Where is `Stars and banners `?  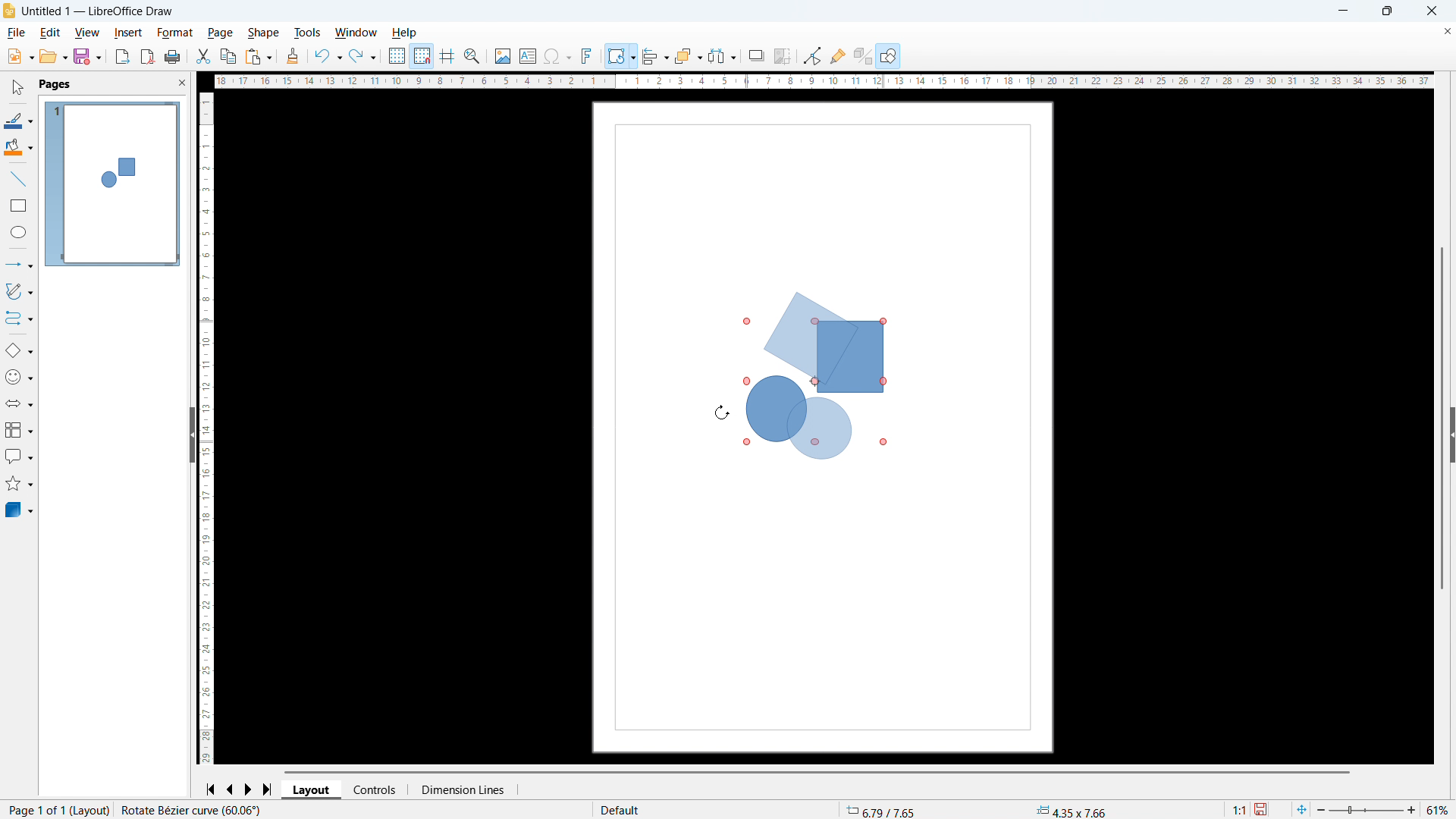 Stars and banners  is located at coordinates (17, 485).